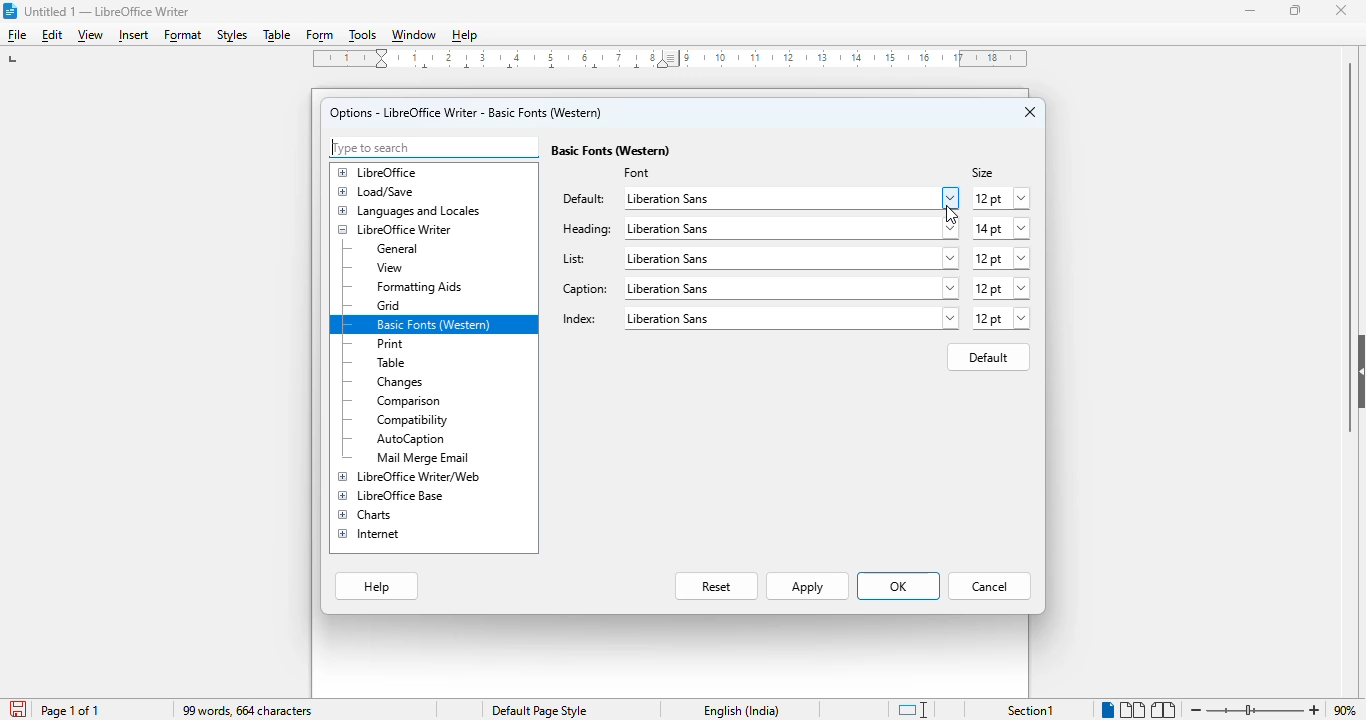  What do you see at coordinates (413, 421) in the screenshot?
I see `compatibility` at bounding box center [413, 421].